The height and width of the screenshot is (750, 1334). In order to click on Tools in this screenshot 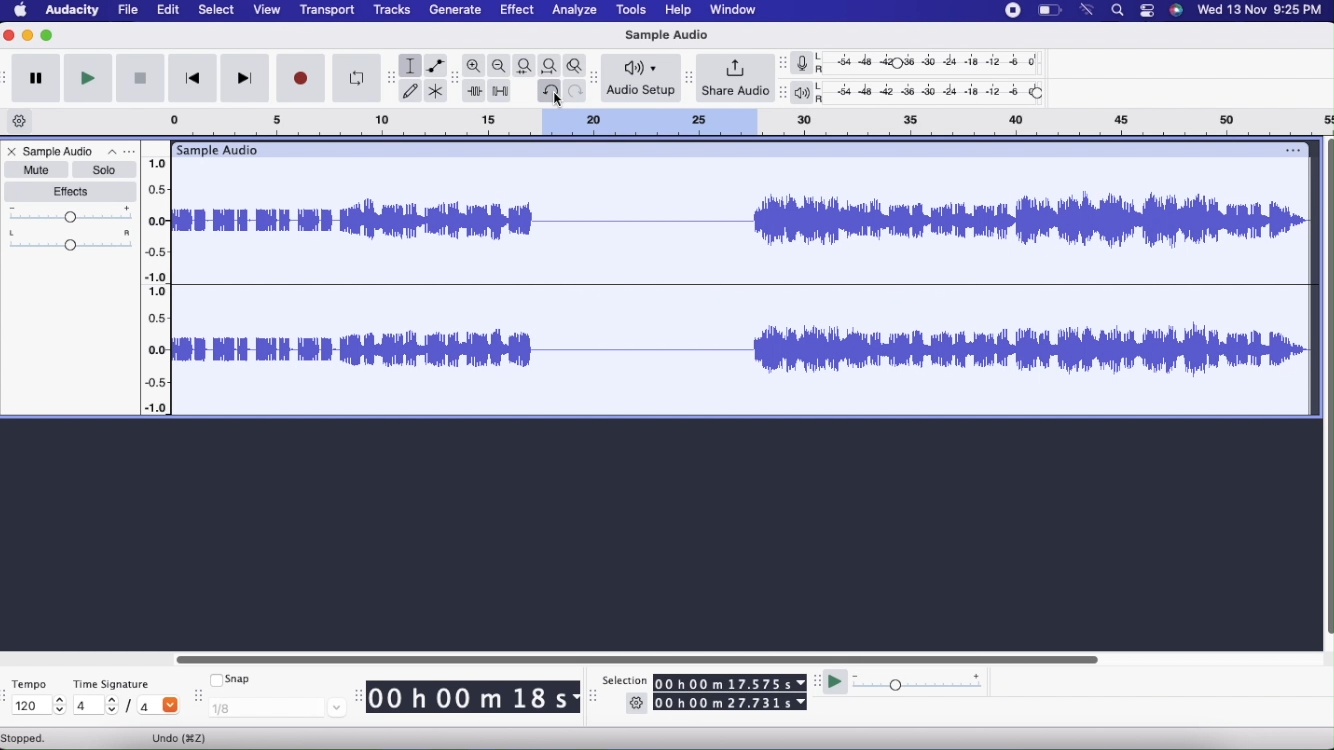, I will do `click(632, 12)`.